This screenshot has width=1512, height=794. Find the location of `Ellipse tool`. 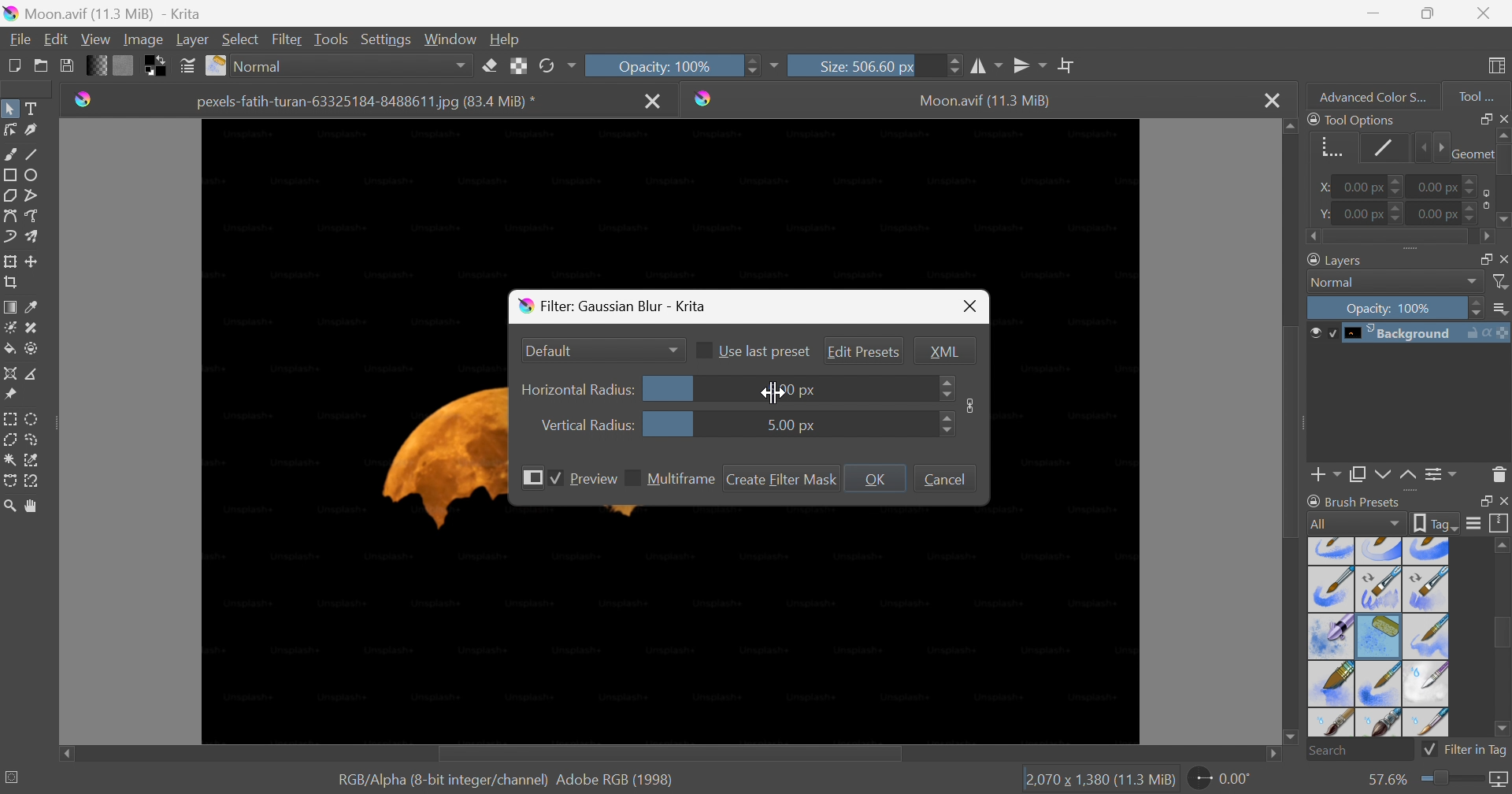

Ellipse tool is located at coordinates (32, 176).